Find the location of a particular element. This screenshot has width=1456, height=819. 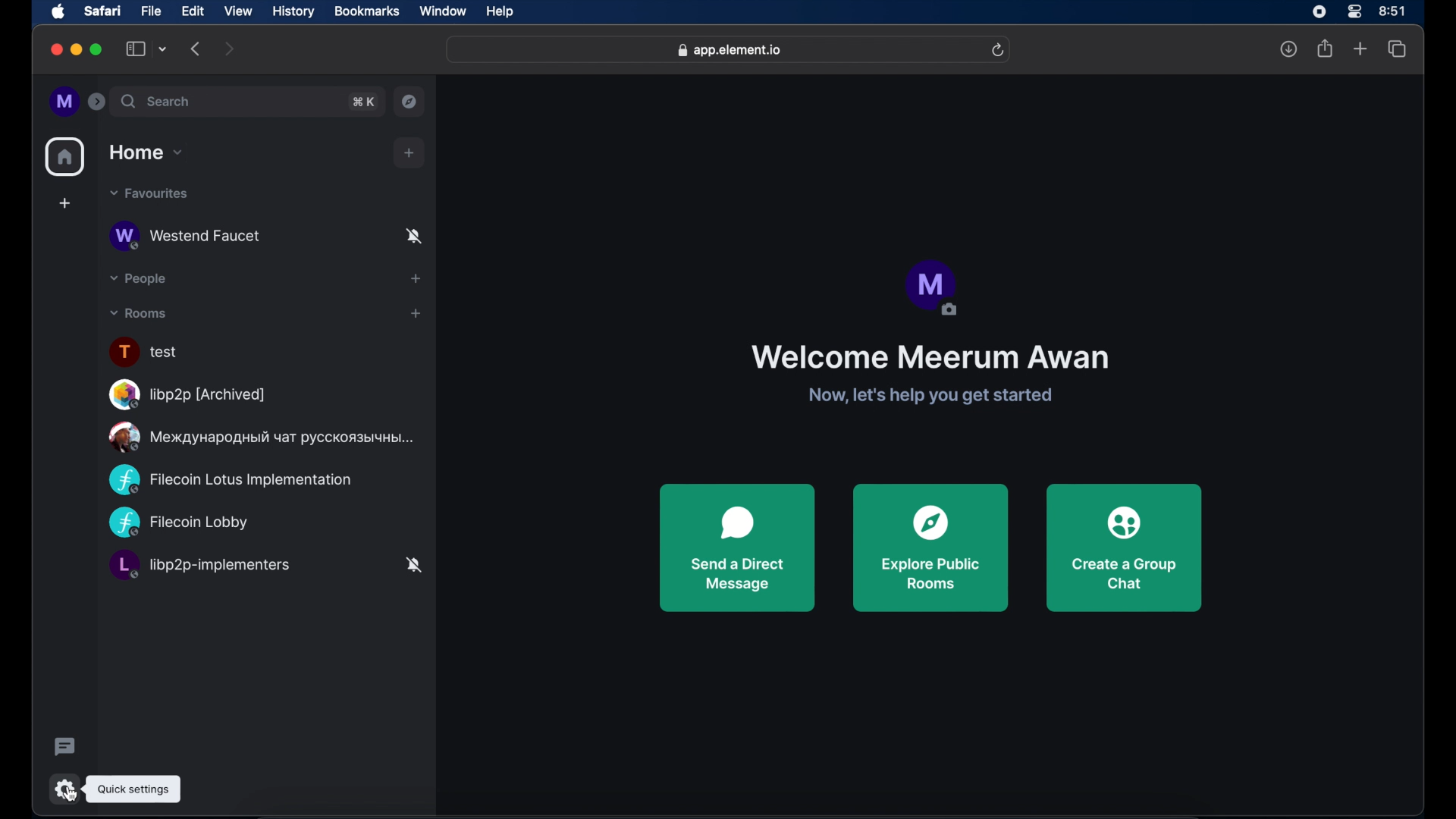

profile is located at coordinates (64, 102).